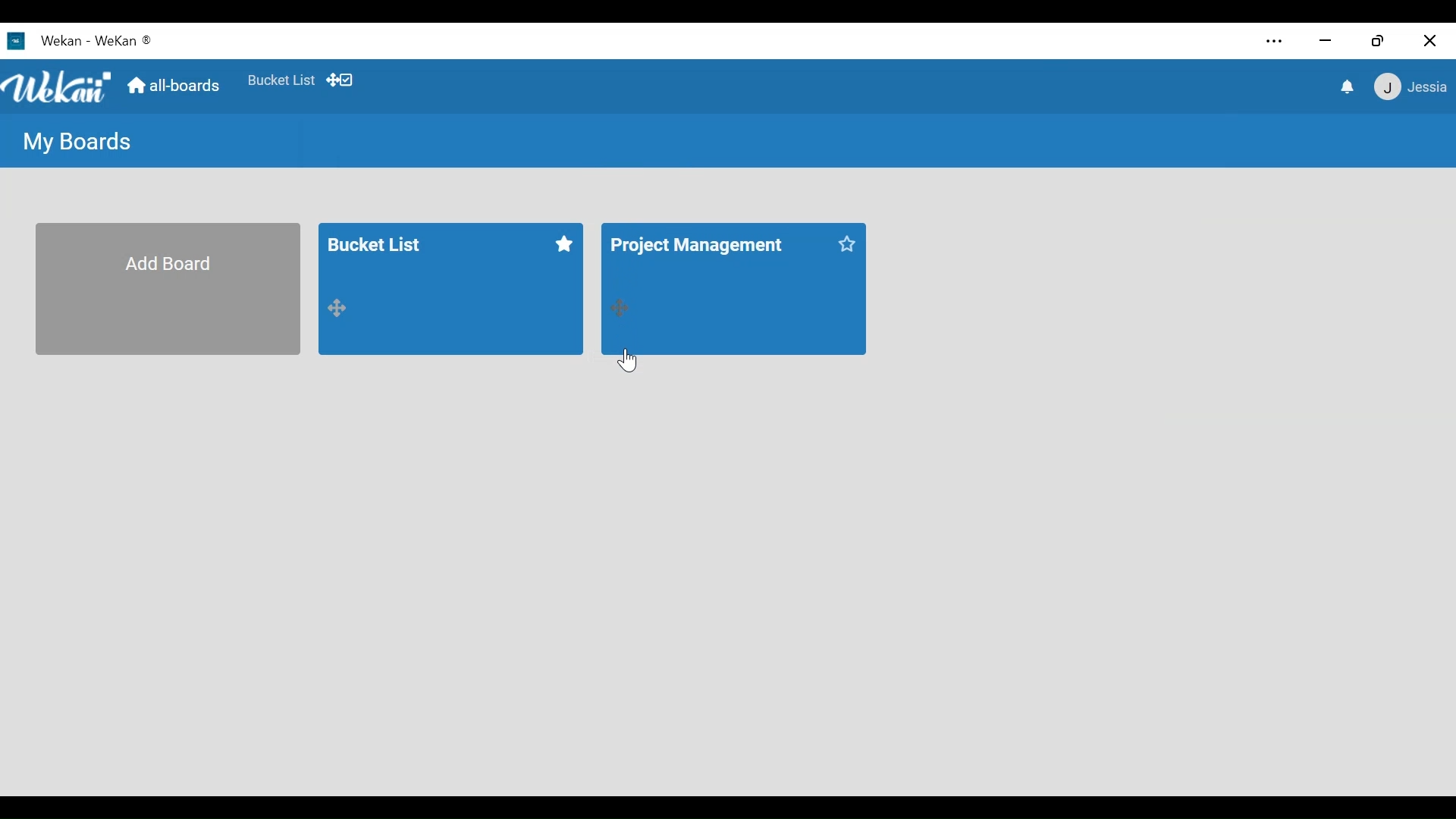 This screenshot has width=1456, height=819. I want to click on close, so click(1429, 41).